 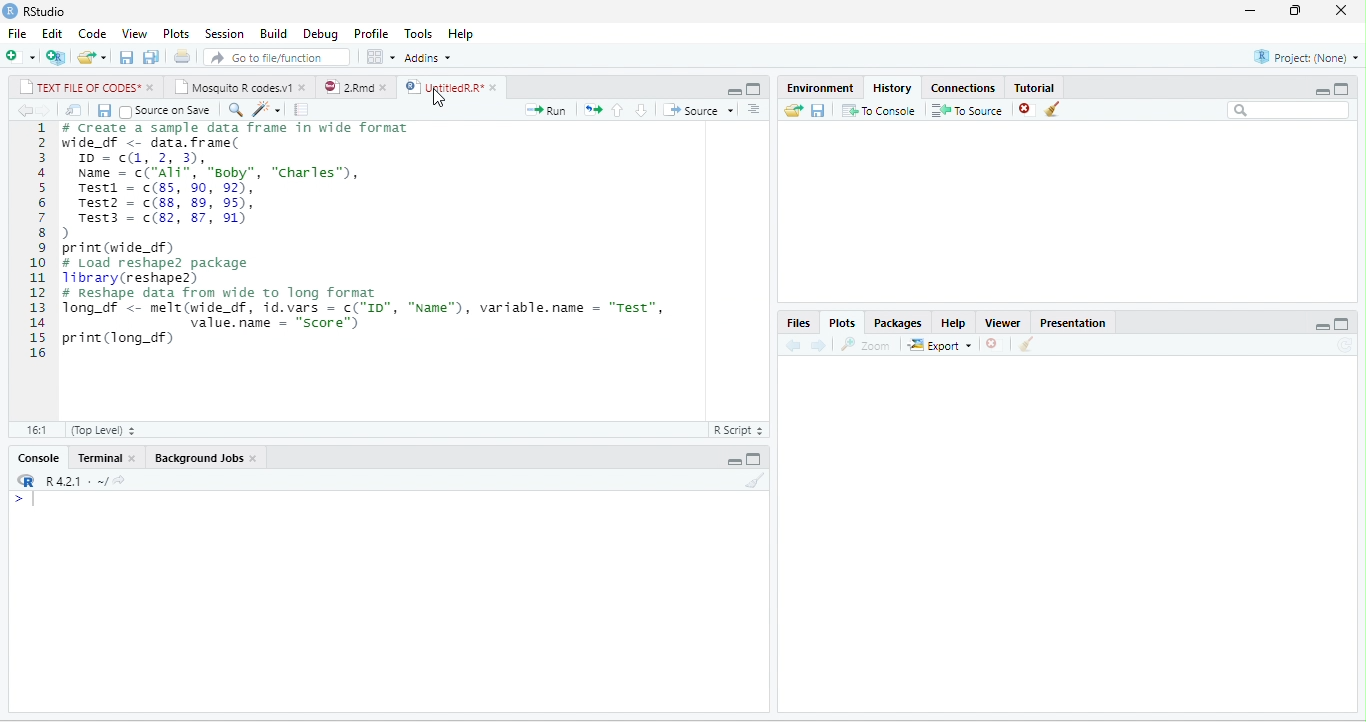 What do you see at coordinates (443, 87) in the screenshot?
I see `UntitledR.R` at bounding box center [443, 87].